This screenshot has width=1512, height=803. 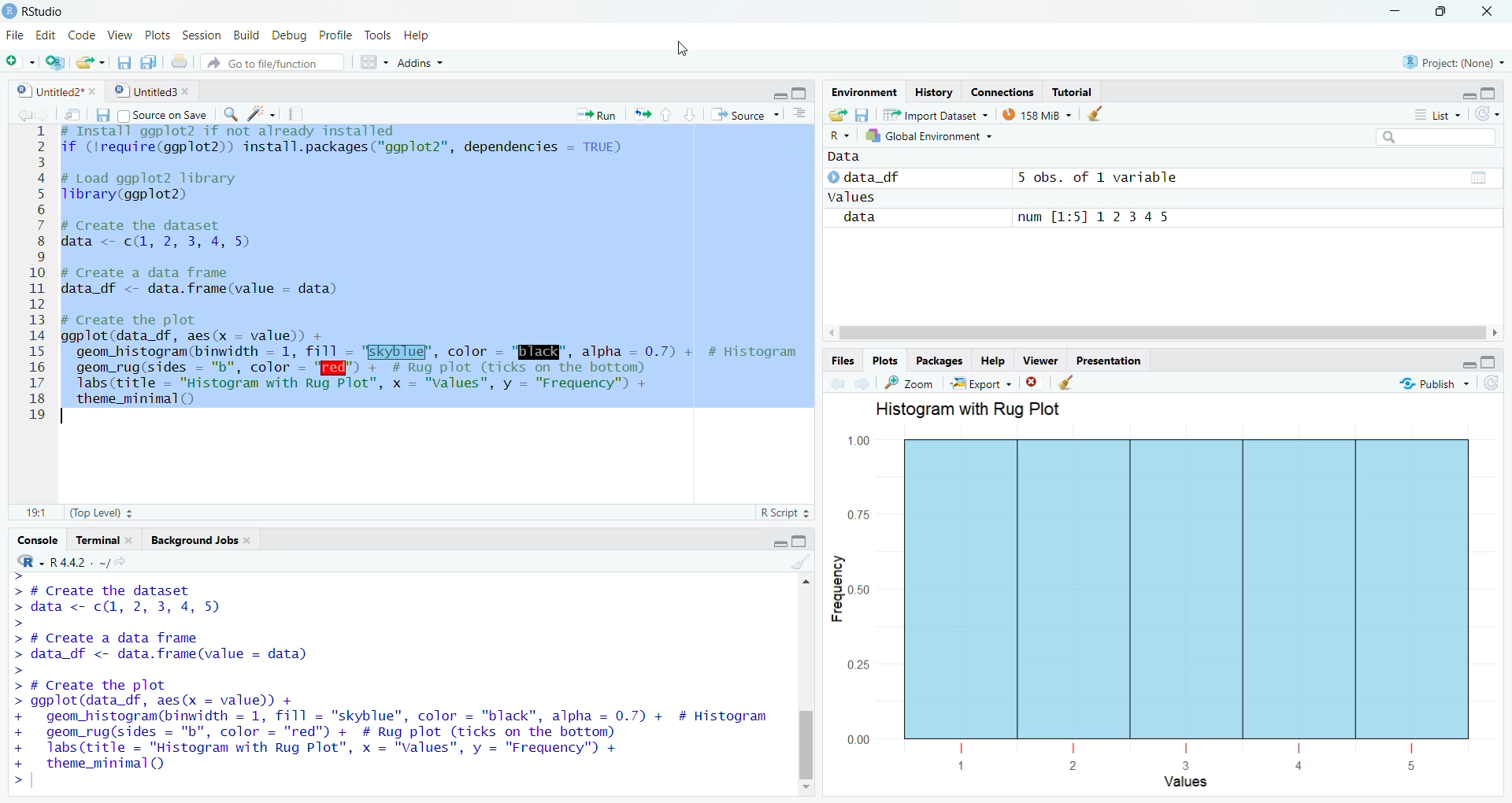 What do you see at coordinates (69, 11) in the screenshot?
I see `D Rstudio` at bounding box center [69, 11].